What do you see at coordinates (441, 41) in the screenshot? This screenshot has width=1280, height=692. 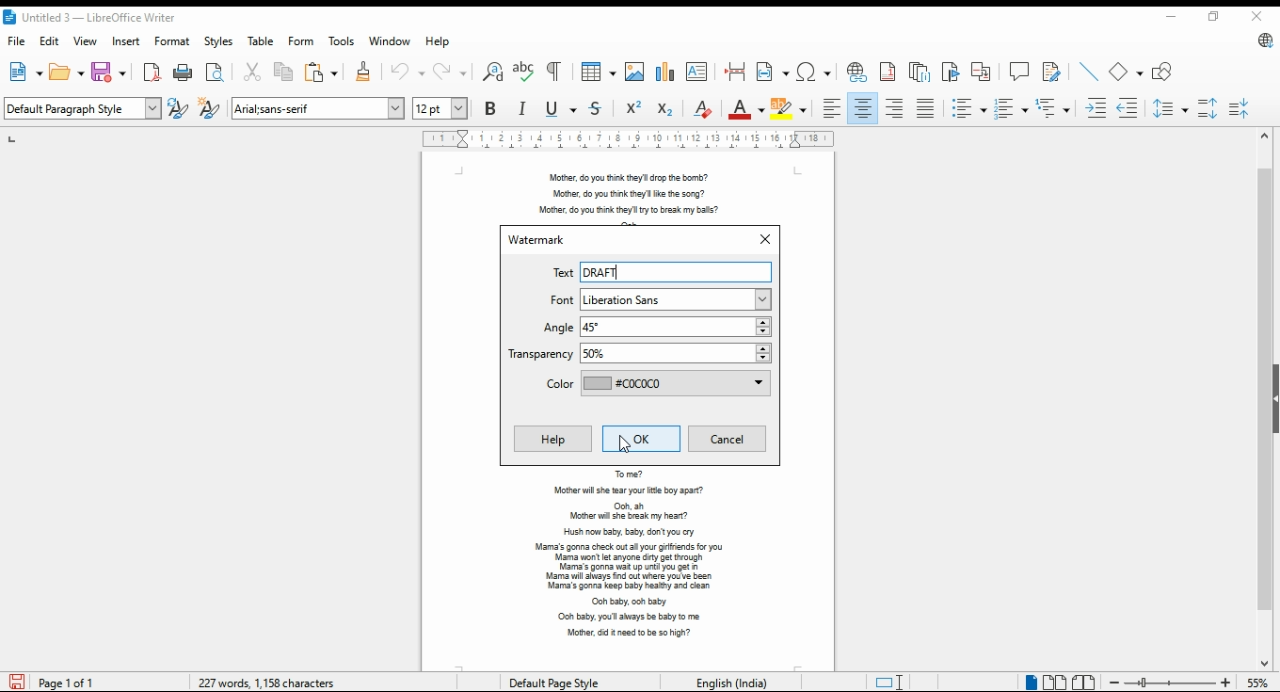 I see `help` at bounding box center [441, 41].